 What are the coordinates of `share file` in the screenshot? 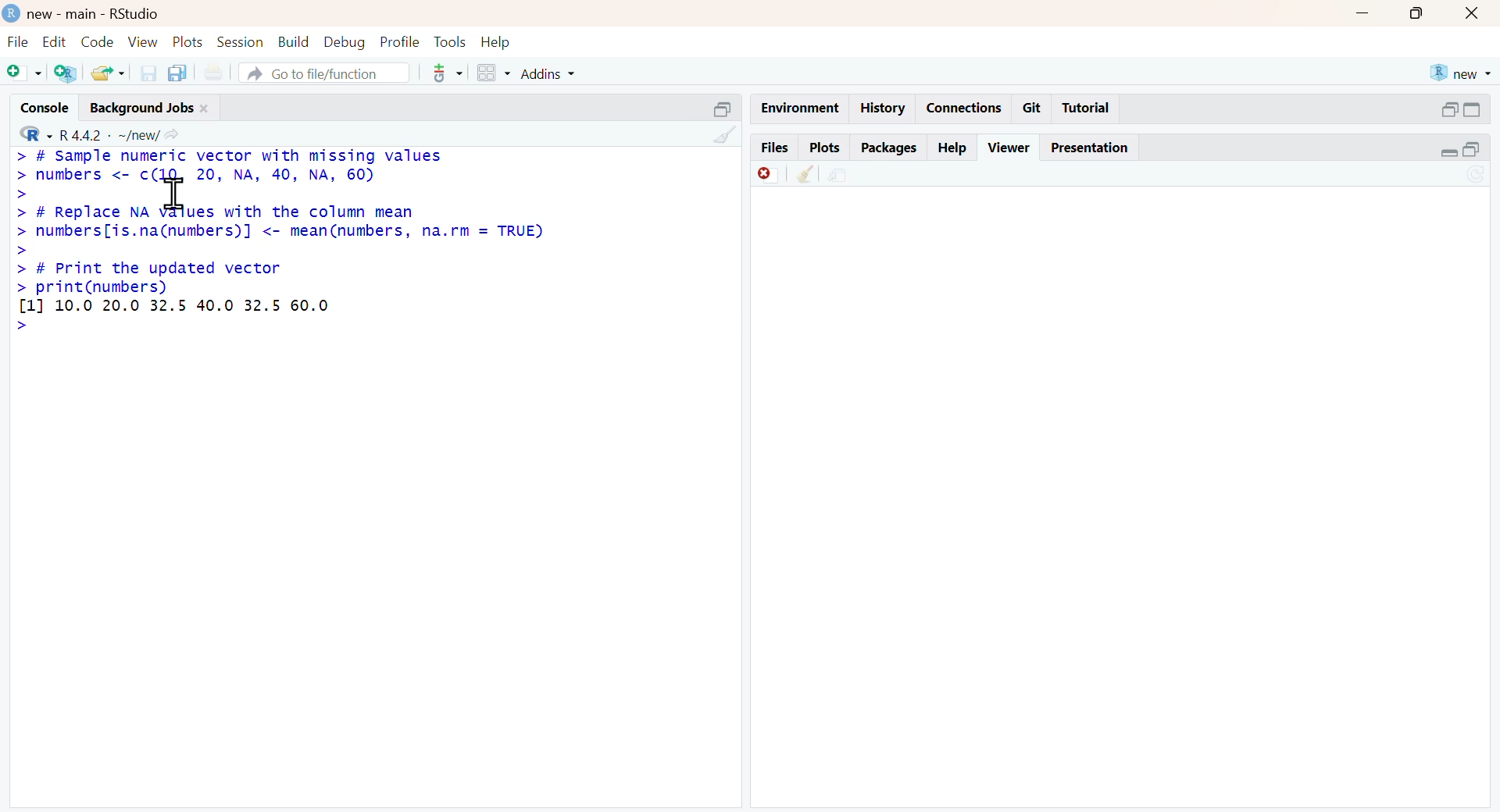 It's located at (841, 176).